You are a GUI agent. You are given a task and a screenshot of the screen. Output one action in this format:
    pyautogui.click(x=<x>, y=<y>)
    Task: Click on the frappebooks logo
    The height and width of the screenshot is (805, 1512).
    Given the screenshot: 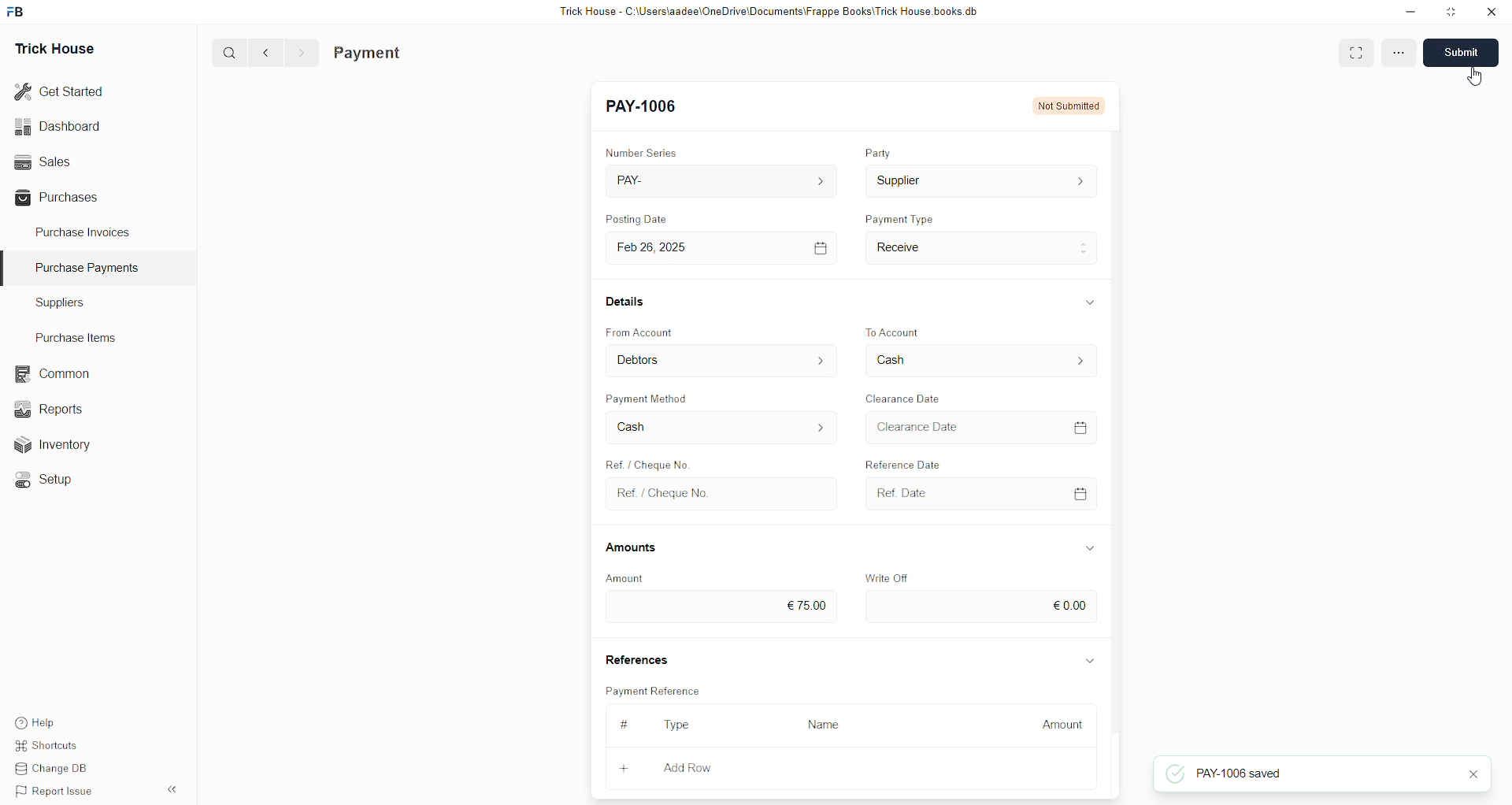 What is the action you would take?
    pyautogui.click(x=17, y=9)
    